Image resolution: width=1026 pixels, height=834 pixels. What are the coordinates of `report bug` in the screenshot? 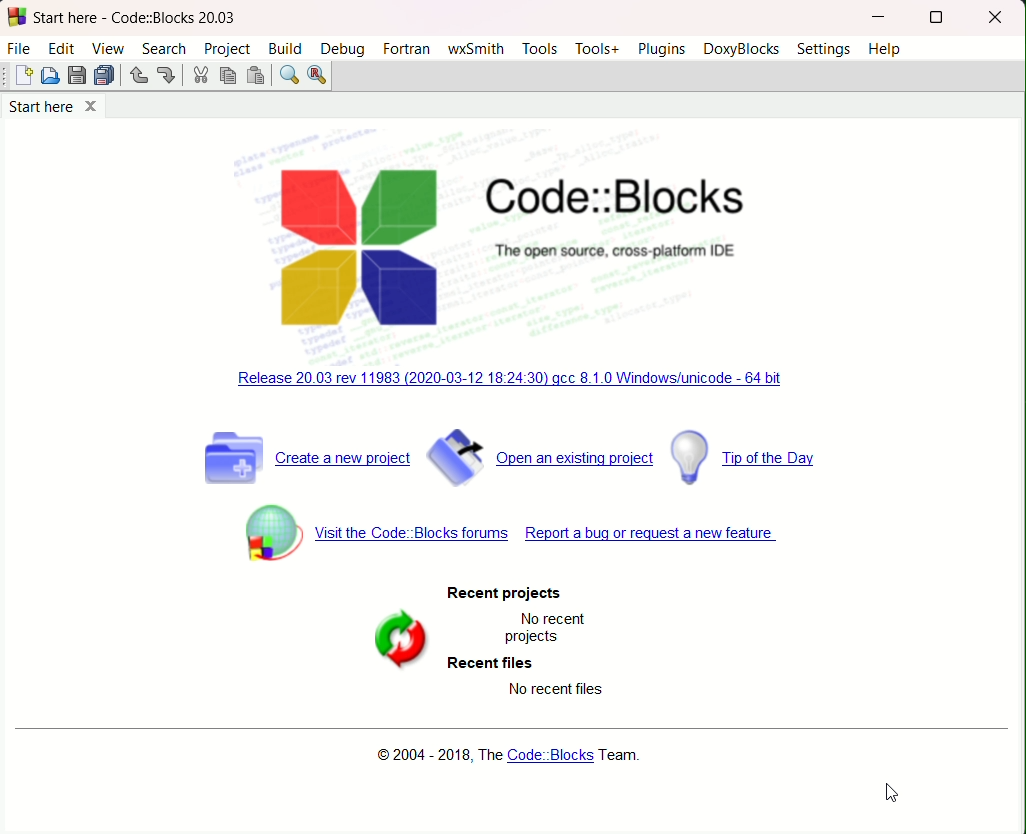 It's located at (651, 533).